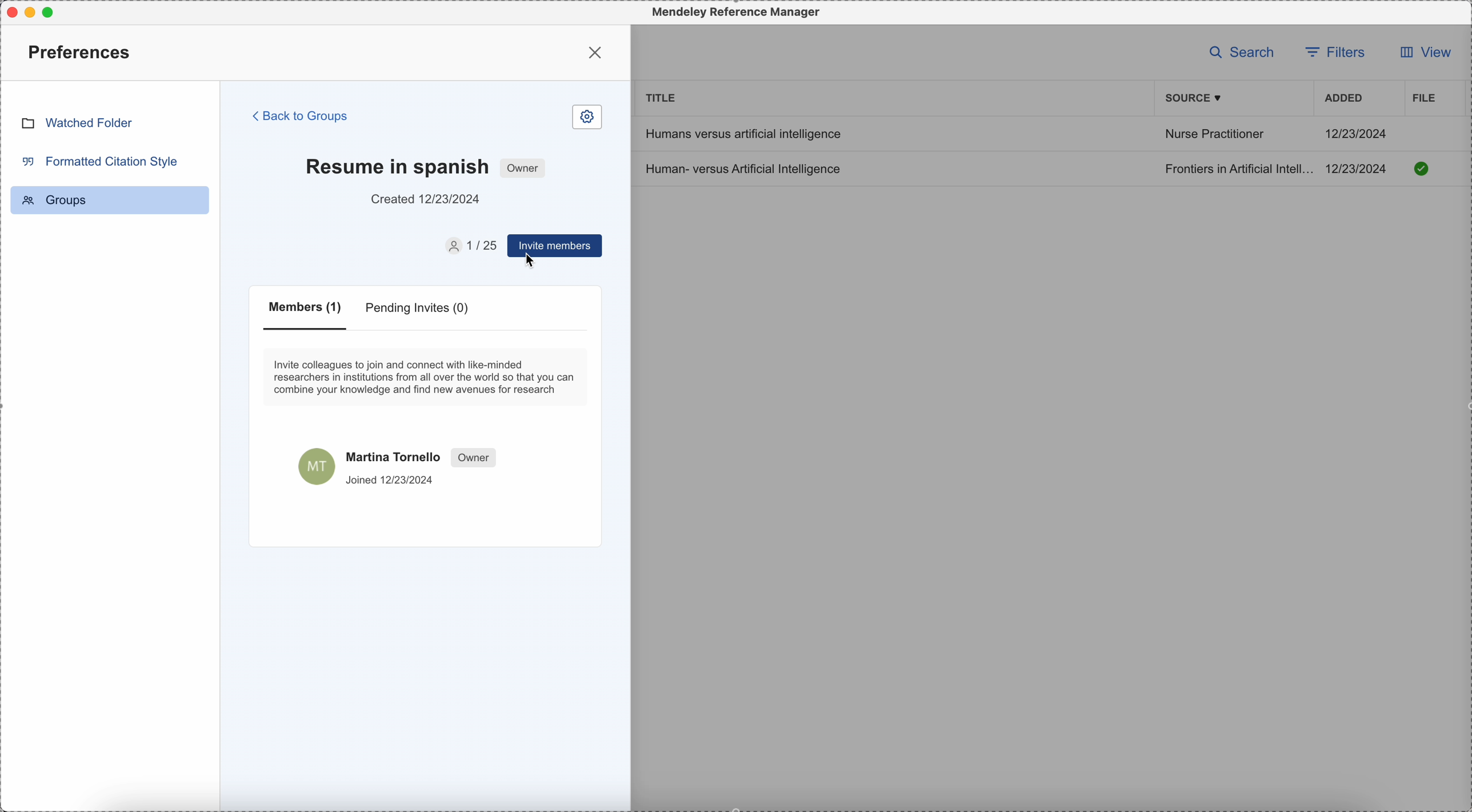 This screenshot has height=812, width=1472. I want to click on resume in spanish, so click(397, 165).